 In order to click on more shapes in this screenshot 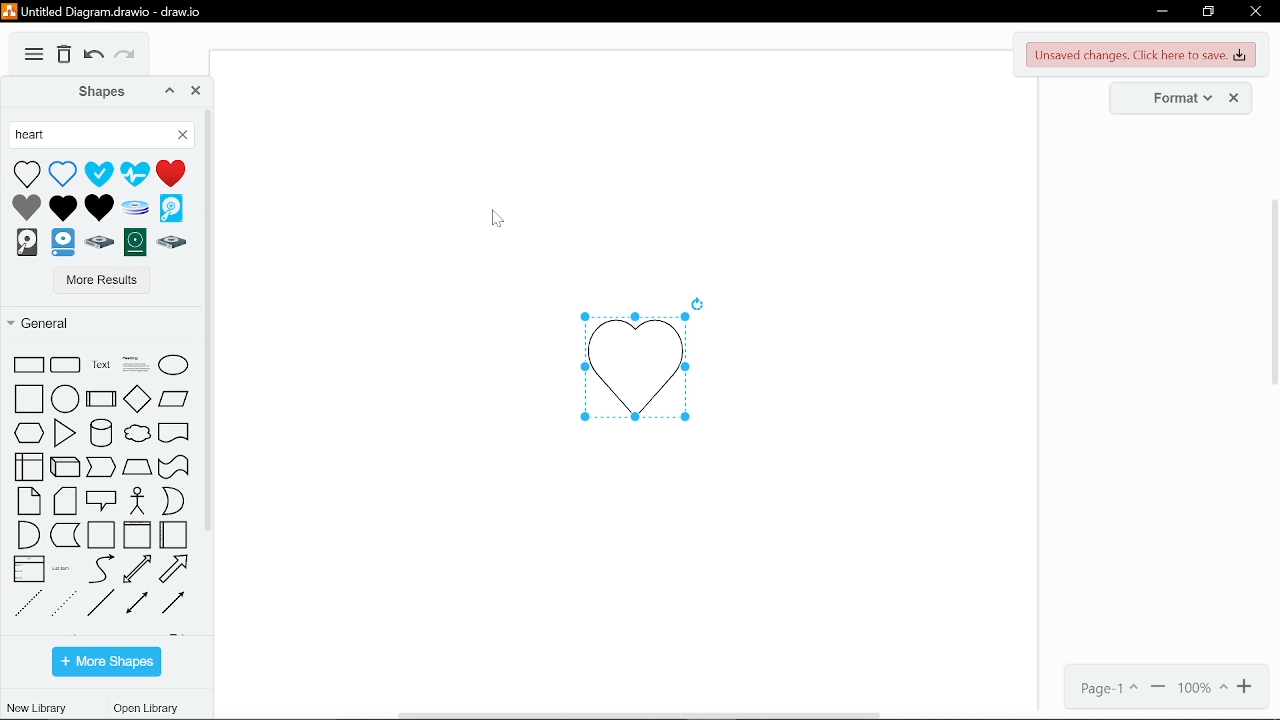, I will do `click(106, 662)`.